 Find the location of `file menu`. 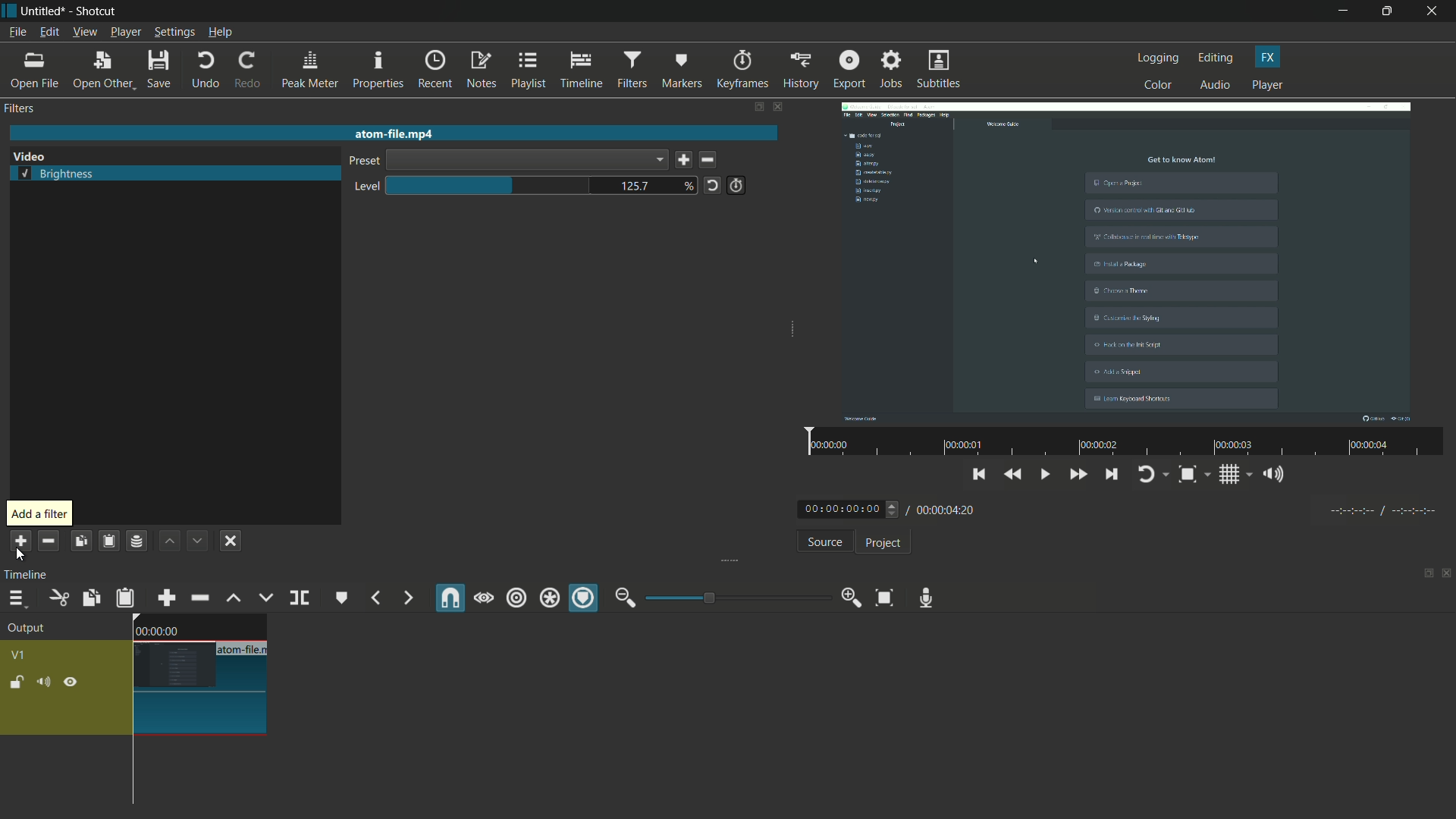

file menu is located at coordinates (17, 32).